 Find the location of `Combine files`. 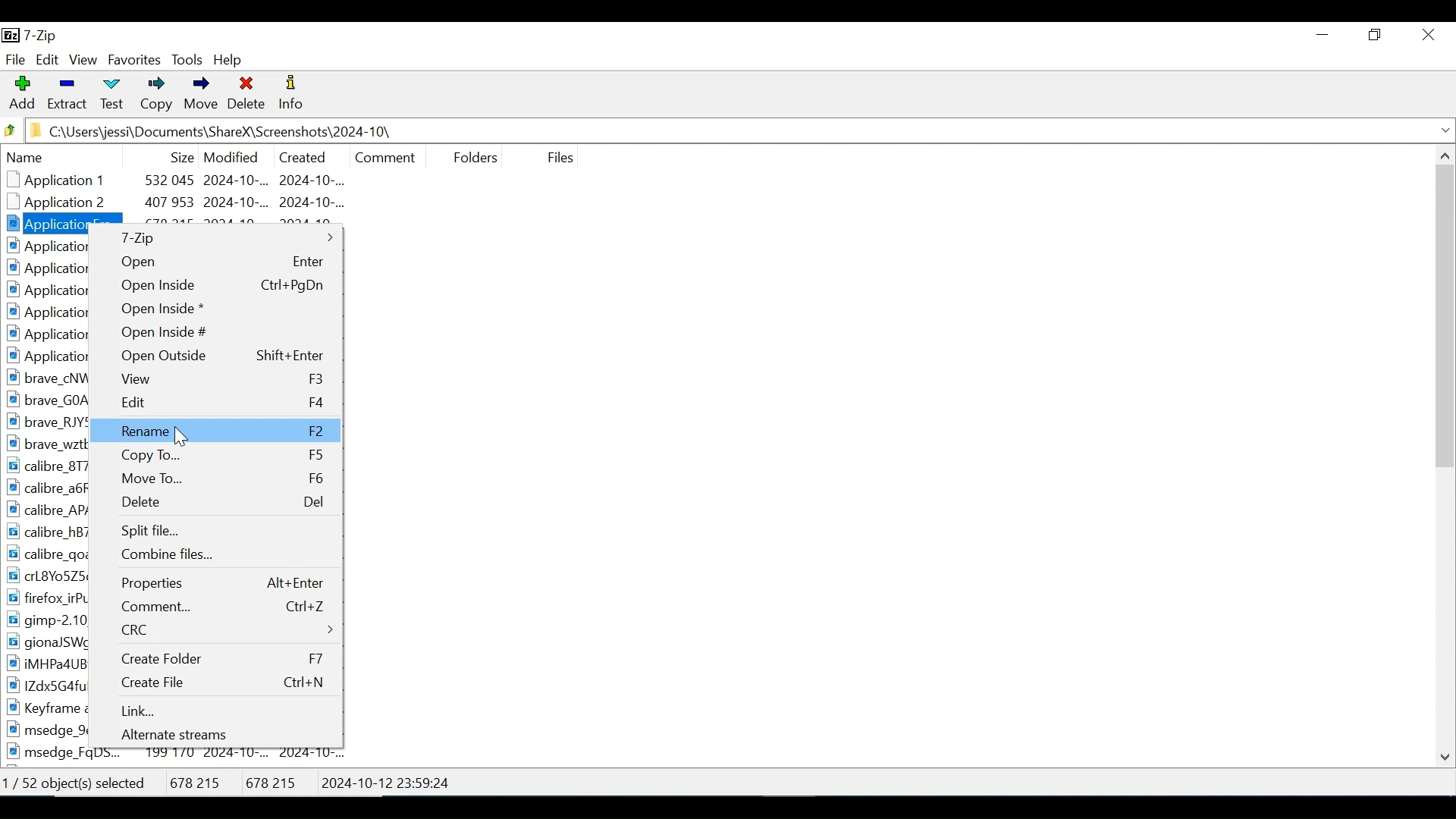

Combine files is located at coordinates (216, 555).